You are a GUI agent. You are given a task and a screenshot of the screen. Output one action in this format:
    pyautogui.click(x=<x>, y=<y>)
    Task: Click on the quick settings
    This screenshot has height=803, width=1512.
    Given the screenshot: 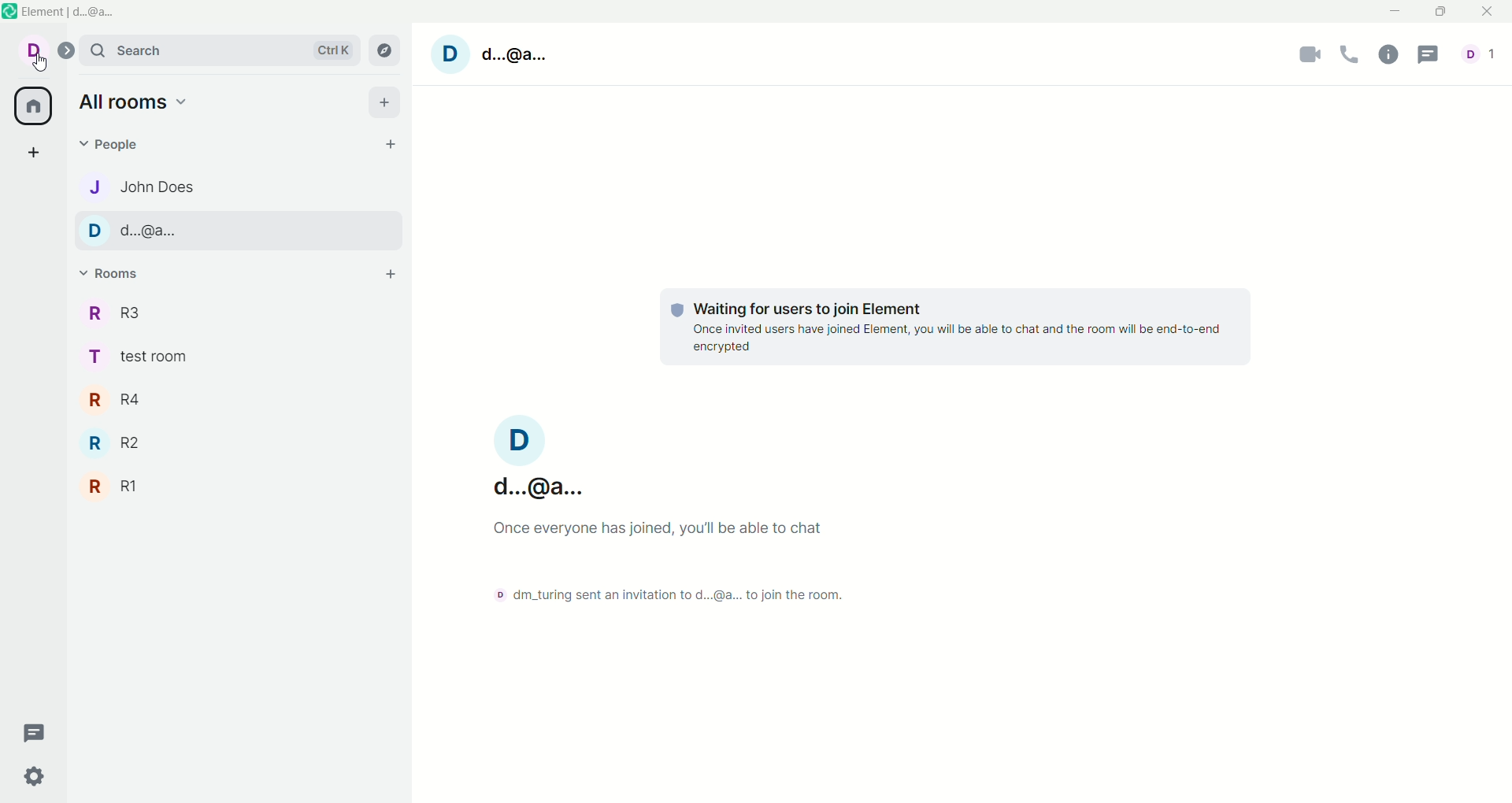 What is the action you would take?
    pyautogui.click(x=37, y=780)
    